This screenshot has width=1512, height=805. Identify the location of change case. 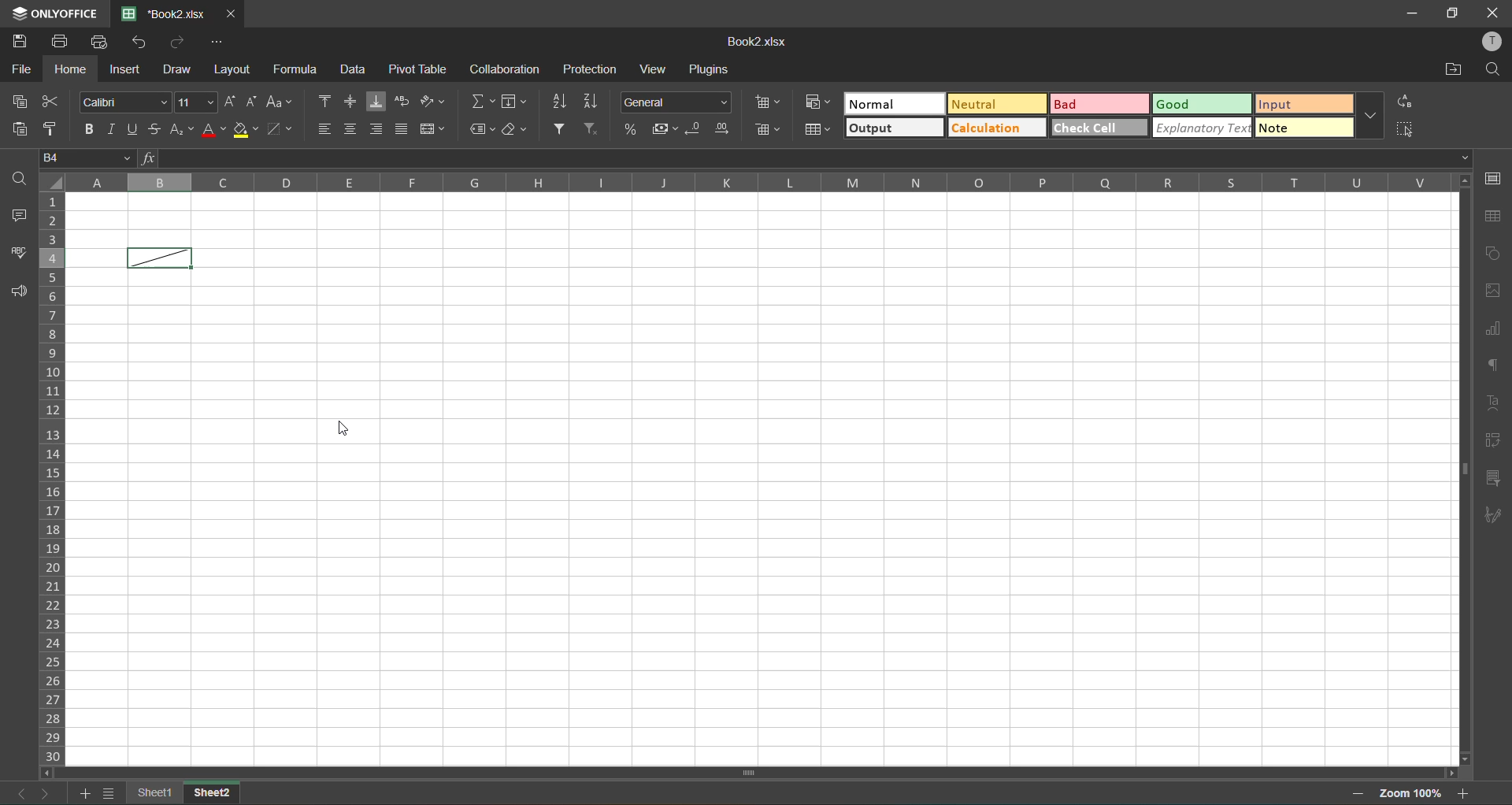
(279, 103).